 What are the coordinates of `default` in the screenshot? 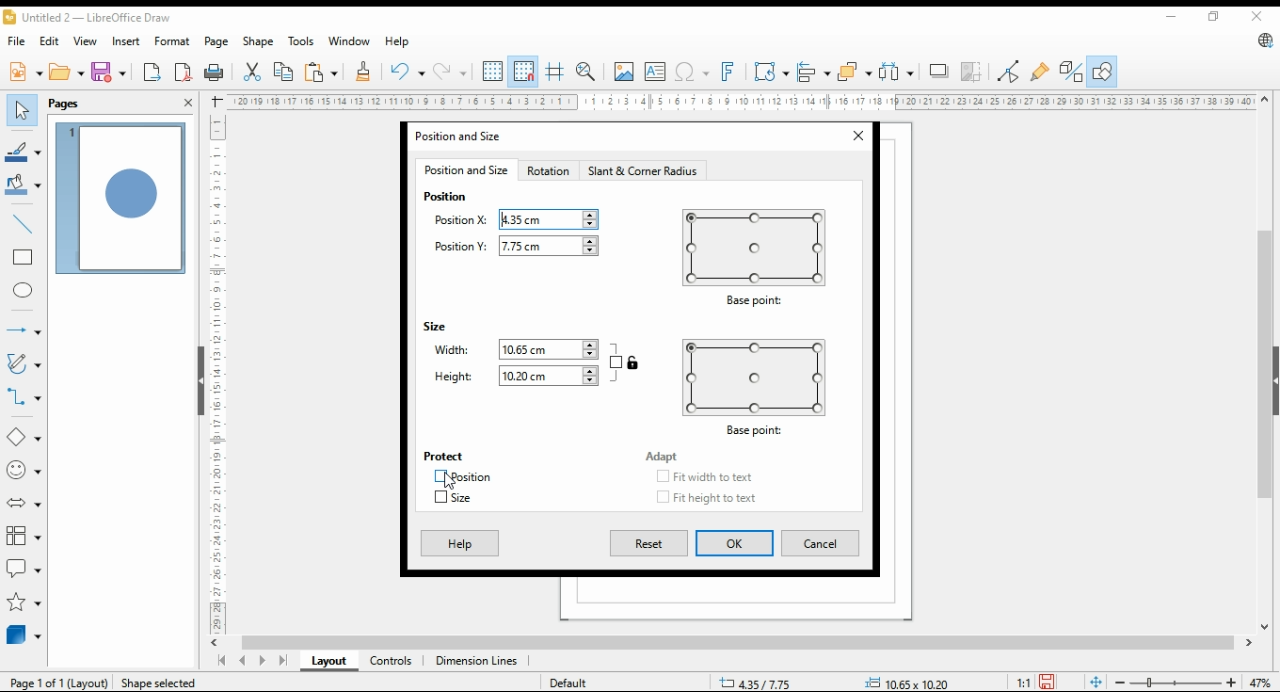 It's located at (572, 684).